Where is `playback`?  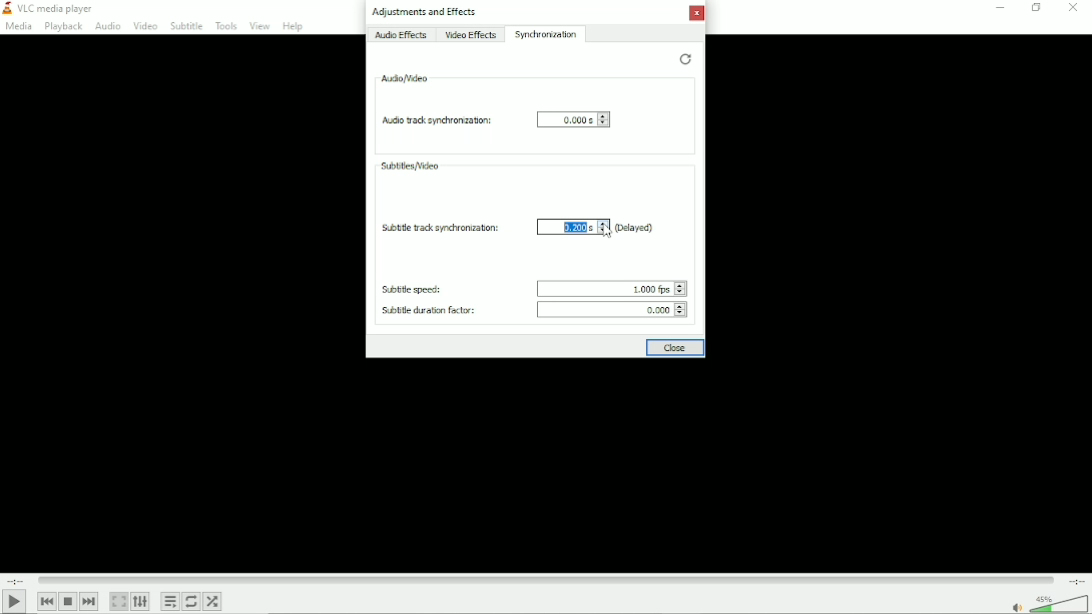 playback is located at coordinates (64, 27).